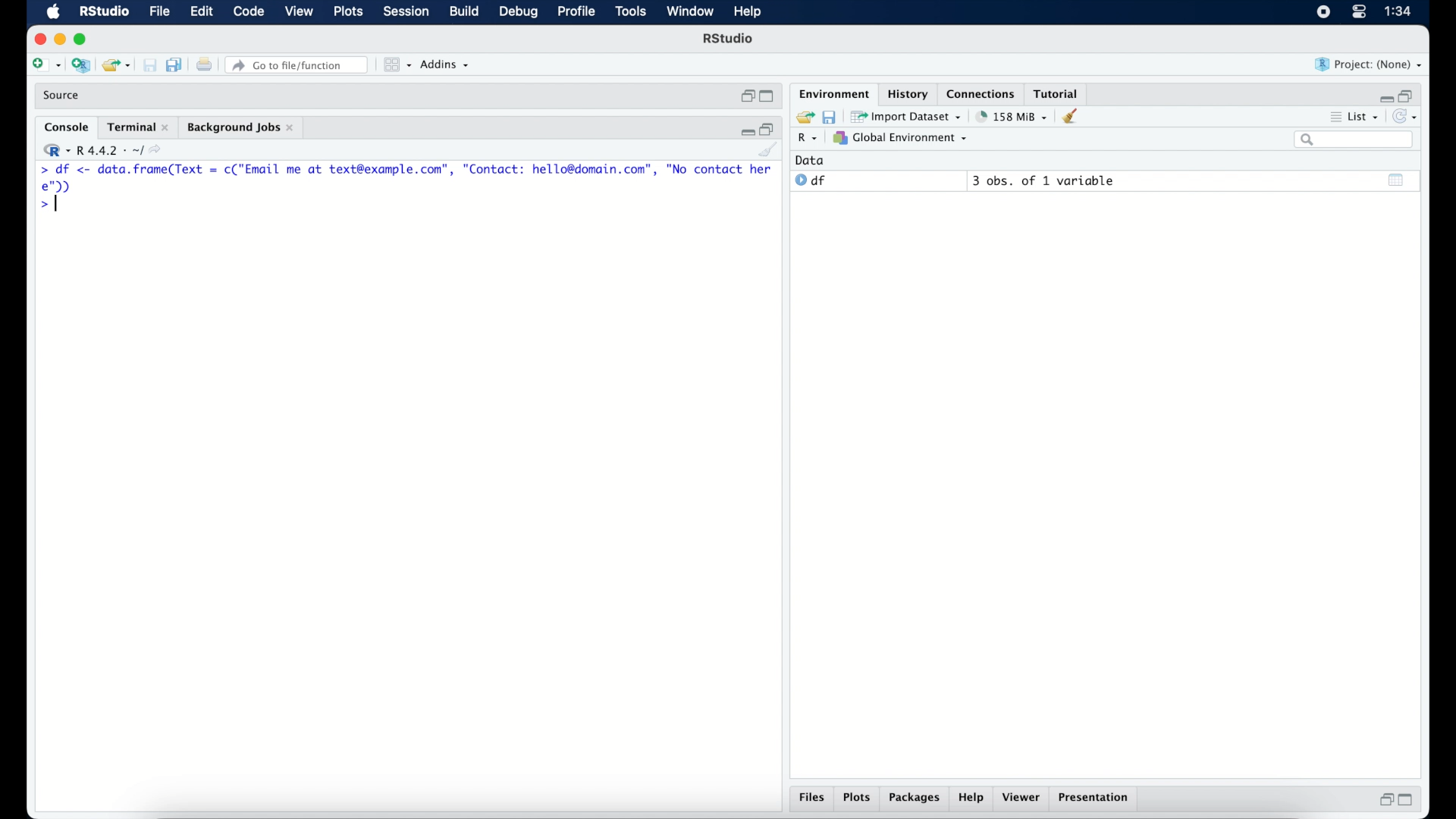 Image resolution: width=1456 pixels, height=819 pixels. What do you see at coordinates (406, 12) in the screenshot?
I see `session` at bounding box center [406, 12].